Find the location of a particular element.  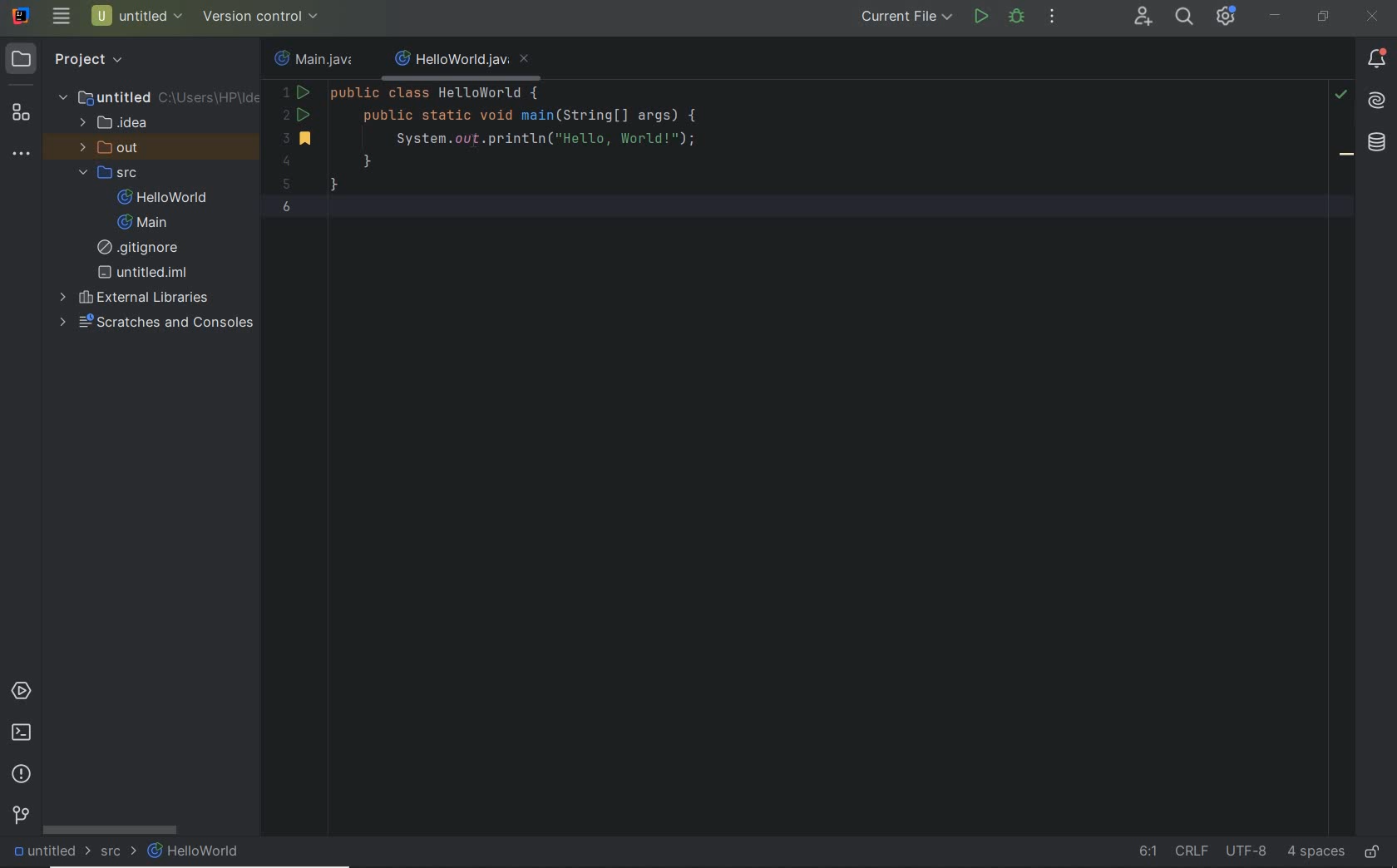

IDE and Project settings is located at coordinates (1227, 18).